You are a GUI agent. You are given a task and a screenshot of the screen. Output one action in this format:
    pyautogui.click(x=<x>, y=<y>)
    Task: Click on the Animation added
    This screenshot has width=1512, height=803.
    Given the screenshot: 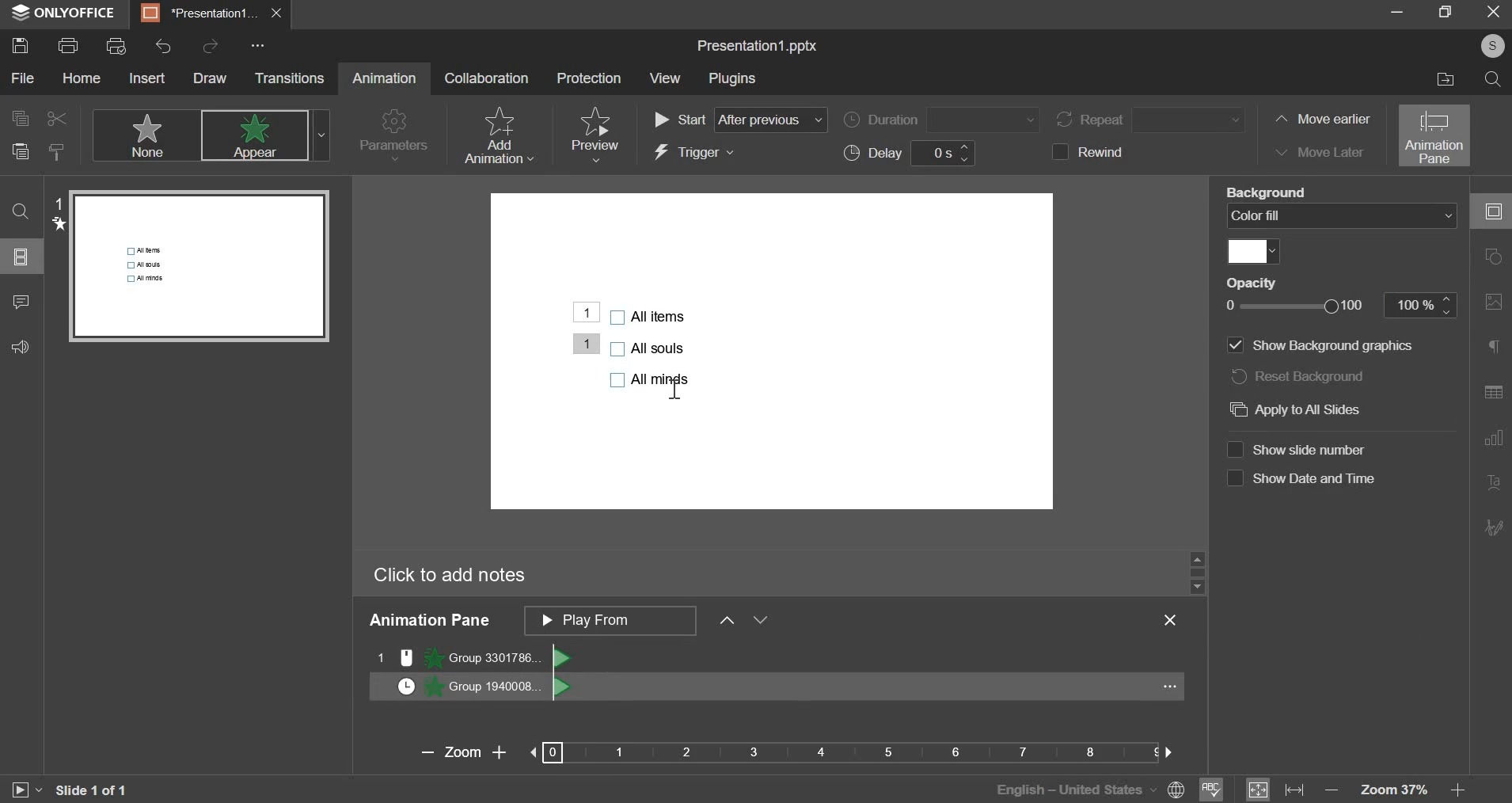 What is the action you would take?
    pyautogui.click(x=572, y=313)
    